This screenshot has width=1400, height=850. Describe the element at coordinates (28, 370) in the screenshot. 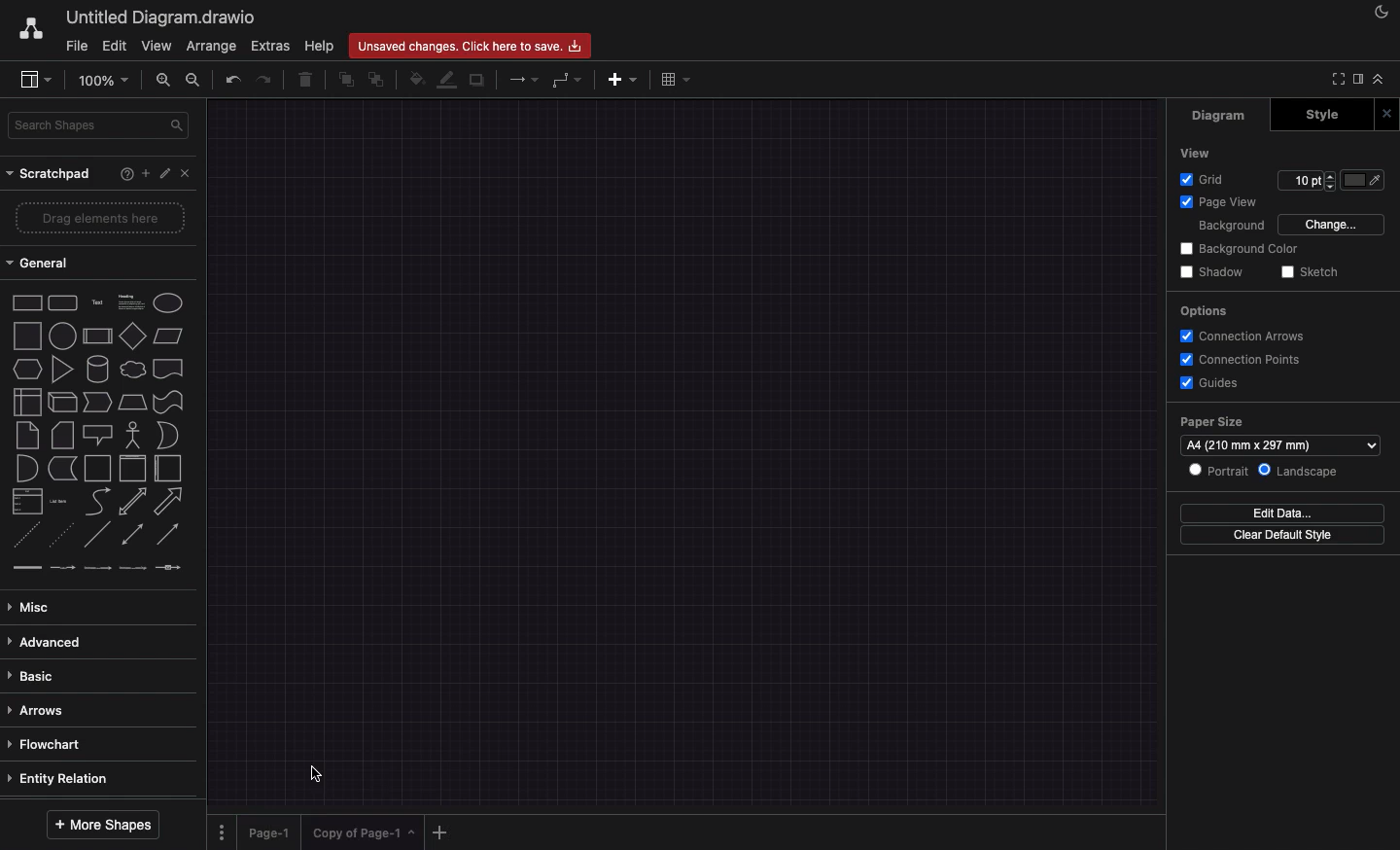

I see `hexagon` at that location.